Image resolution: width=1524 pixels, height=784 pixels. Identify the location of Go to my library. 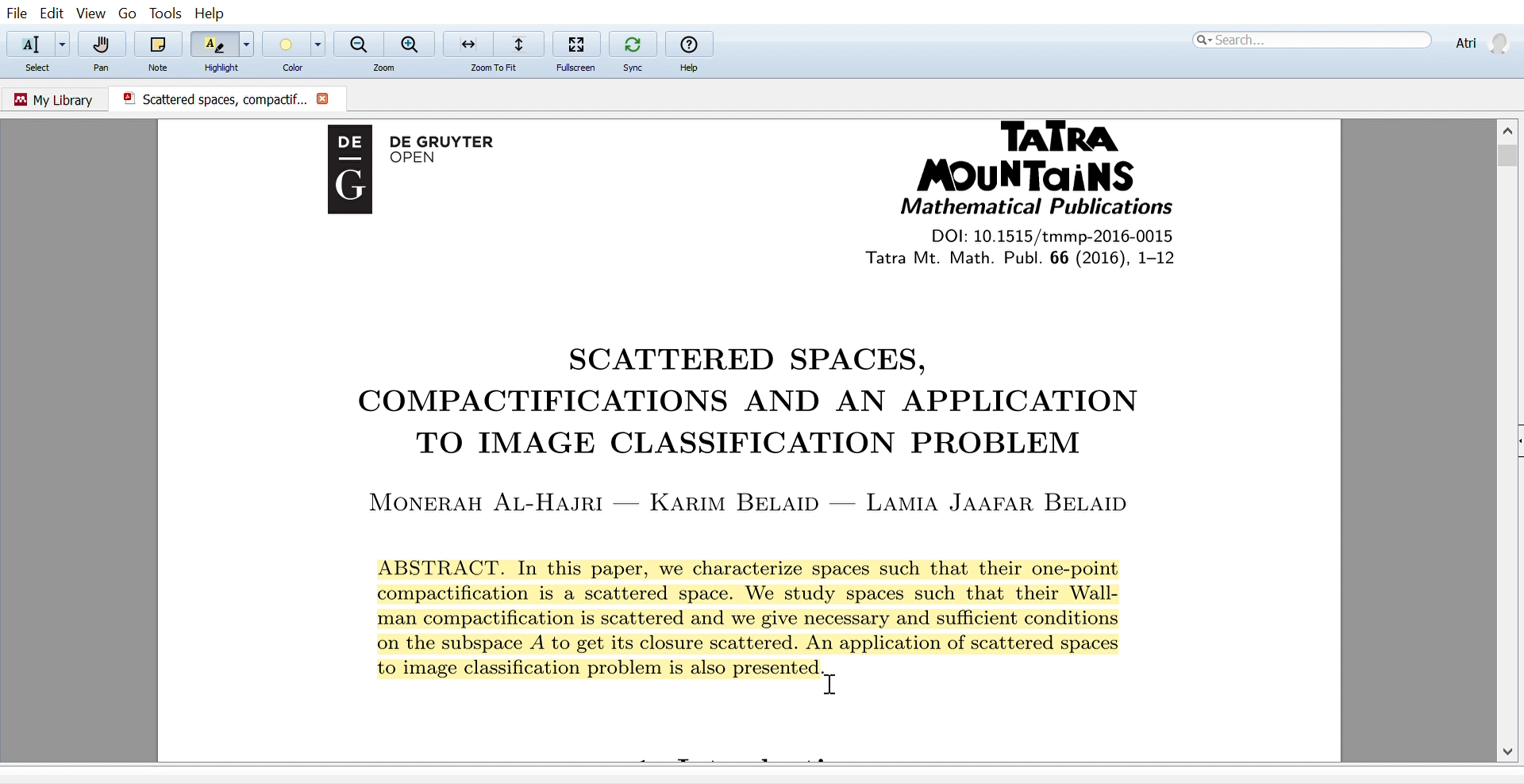
(56, 98).